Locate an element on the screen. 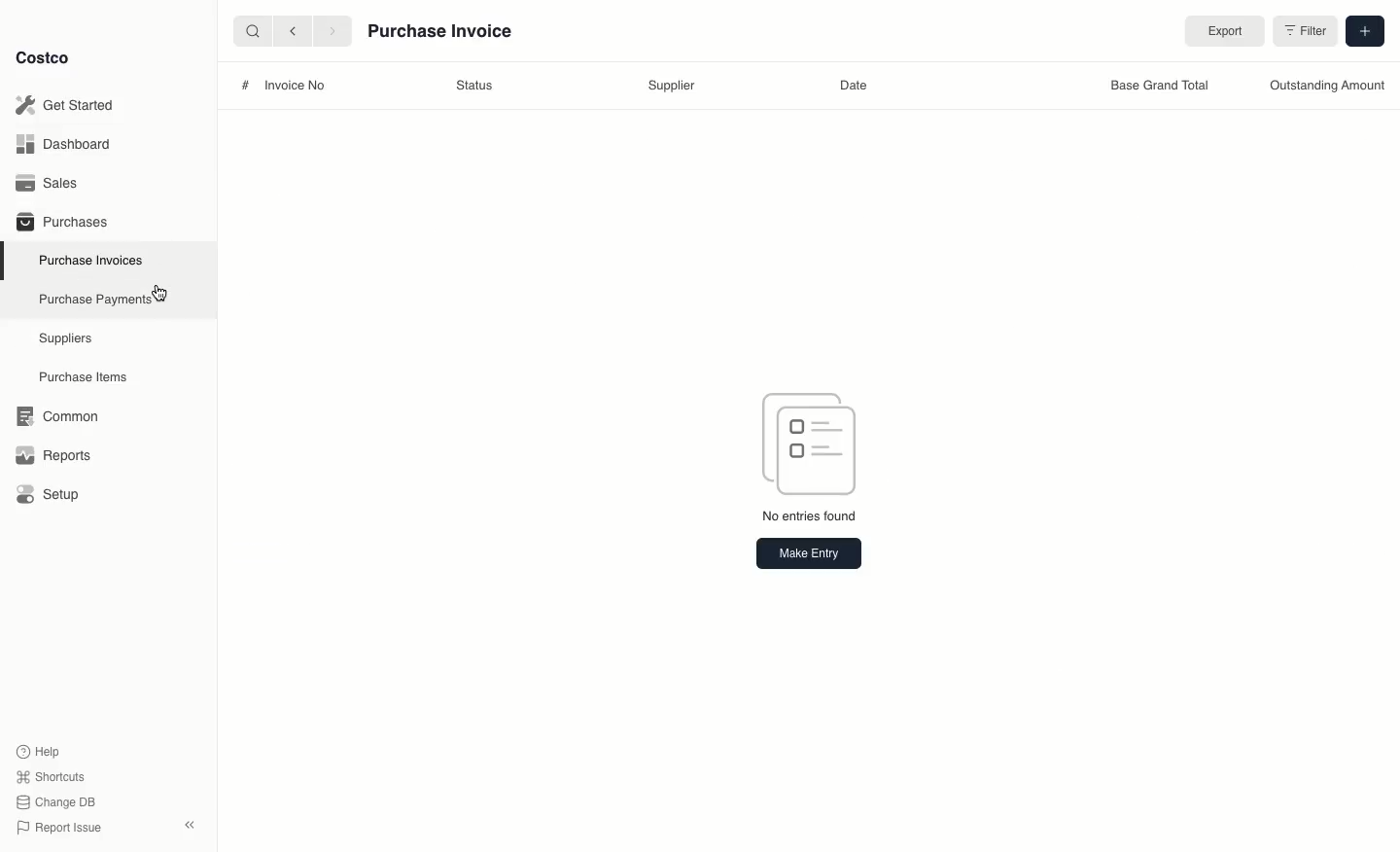 Image resolution: width=1400 pixels, height=852 pixels. Get Started is located at coordinates (69, 105).